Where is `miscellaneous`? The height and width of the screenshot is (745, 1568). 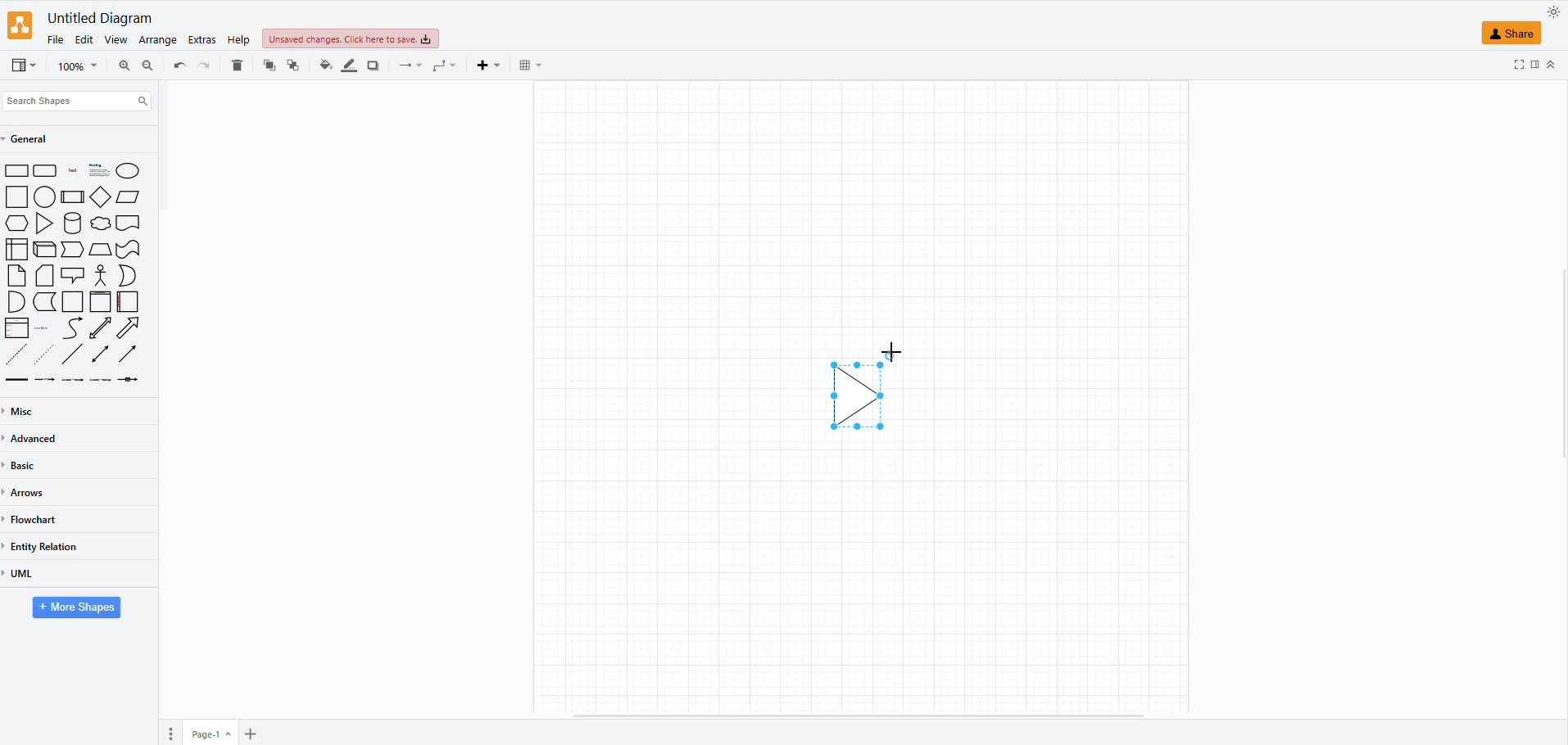 miscellaneous is located at coordinates (27, 409).